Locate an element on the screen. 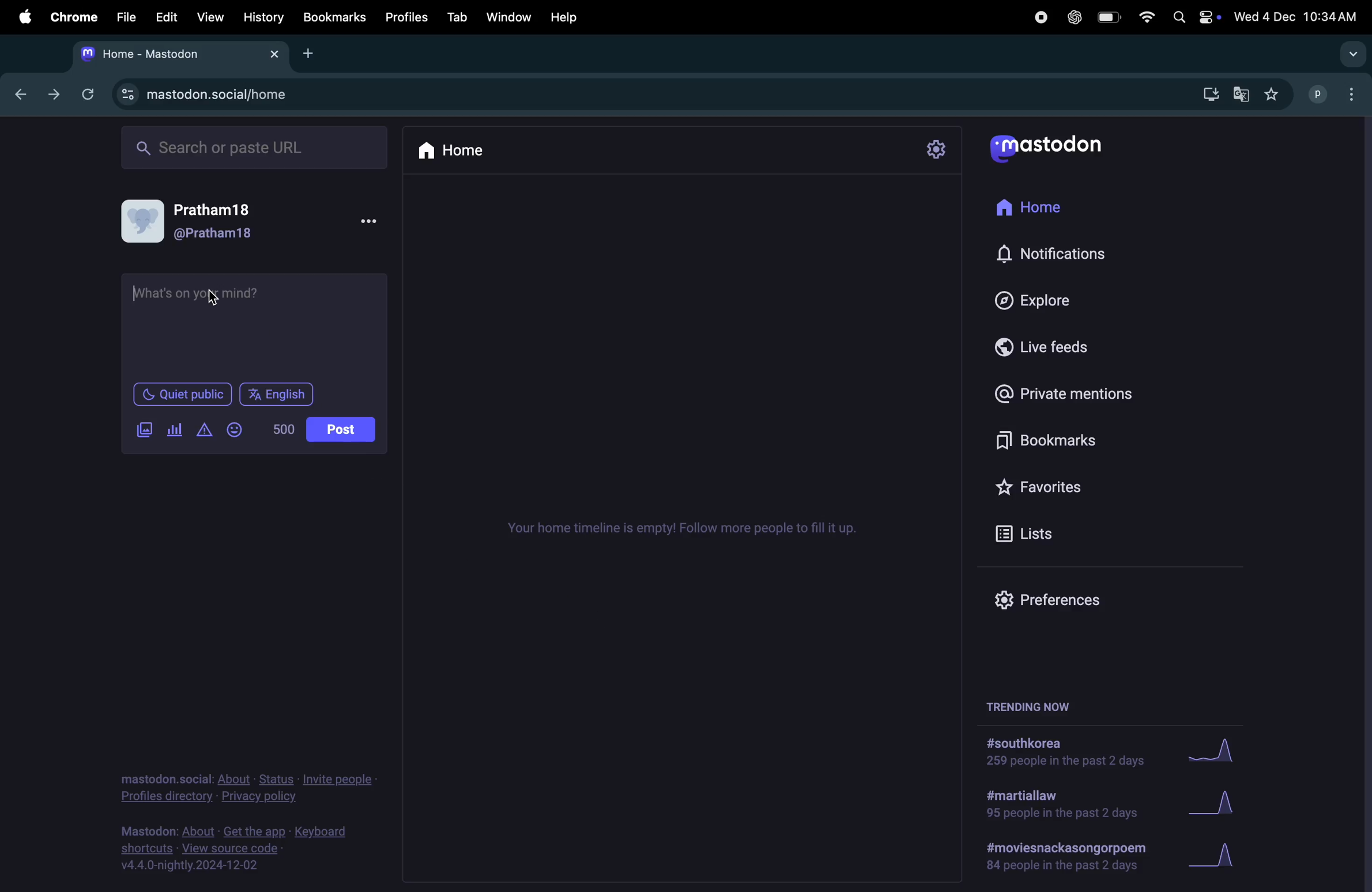 This screenshot has width=1372, height=892. prefrences is located at coordinates (1043, 601).